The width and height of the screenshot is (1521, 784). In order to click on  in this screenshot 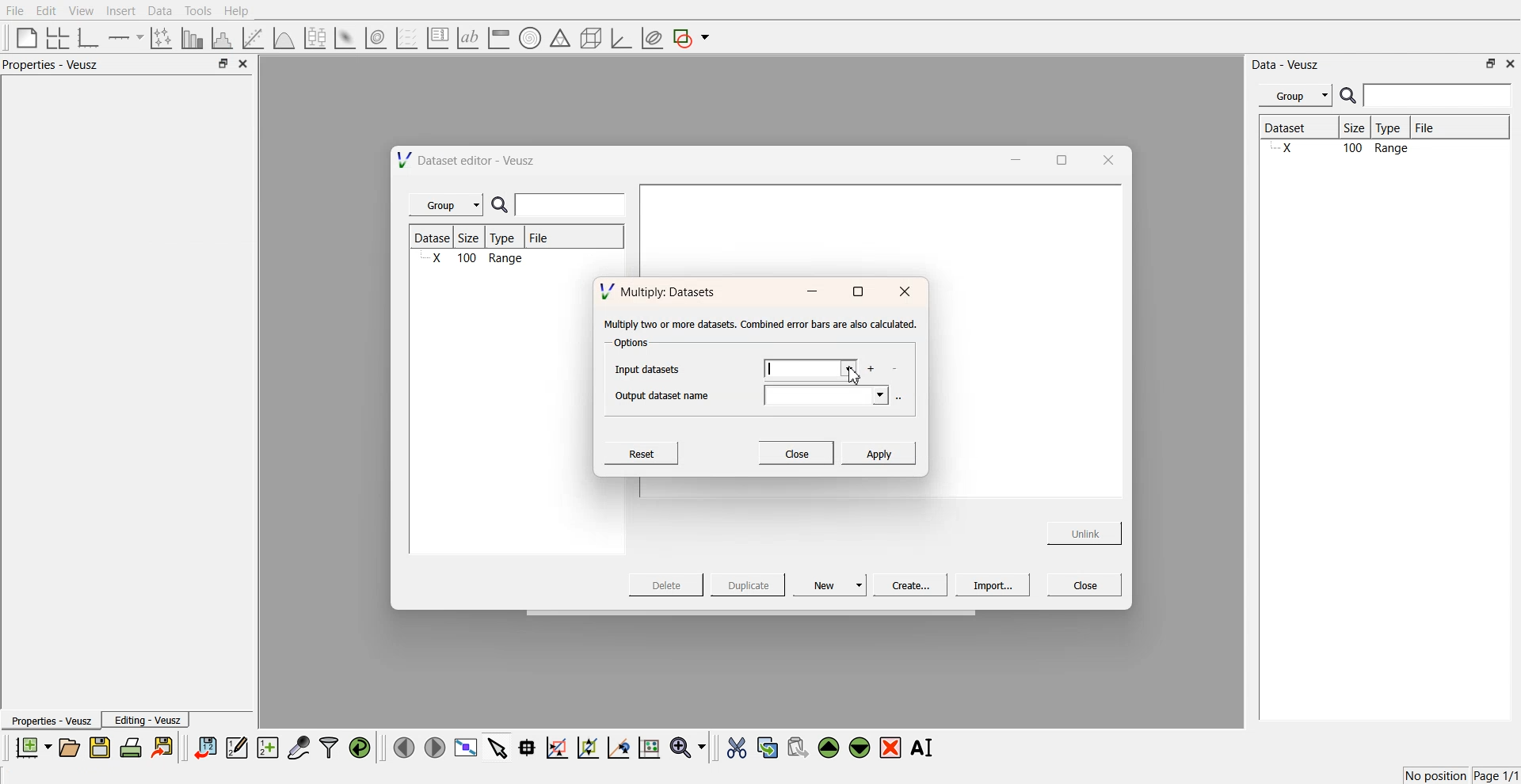, I will do `click(1295, 96)`.